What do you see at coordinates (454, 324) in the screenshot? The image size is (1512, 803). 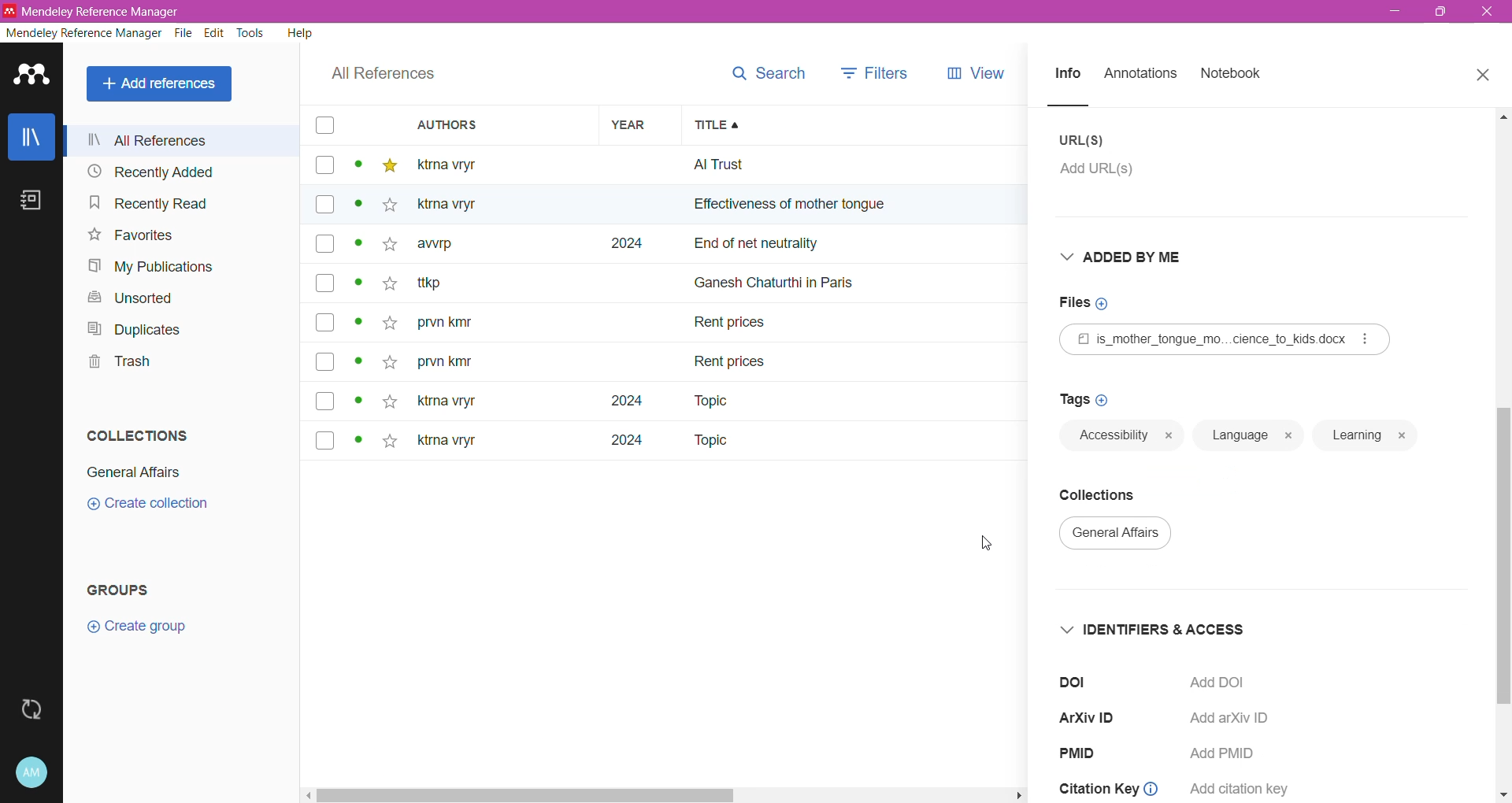 I see `prvn kity` at bounding box center [454, 324].